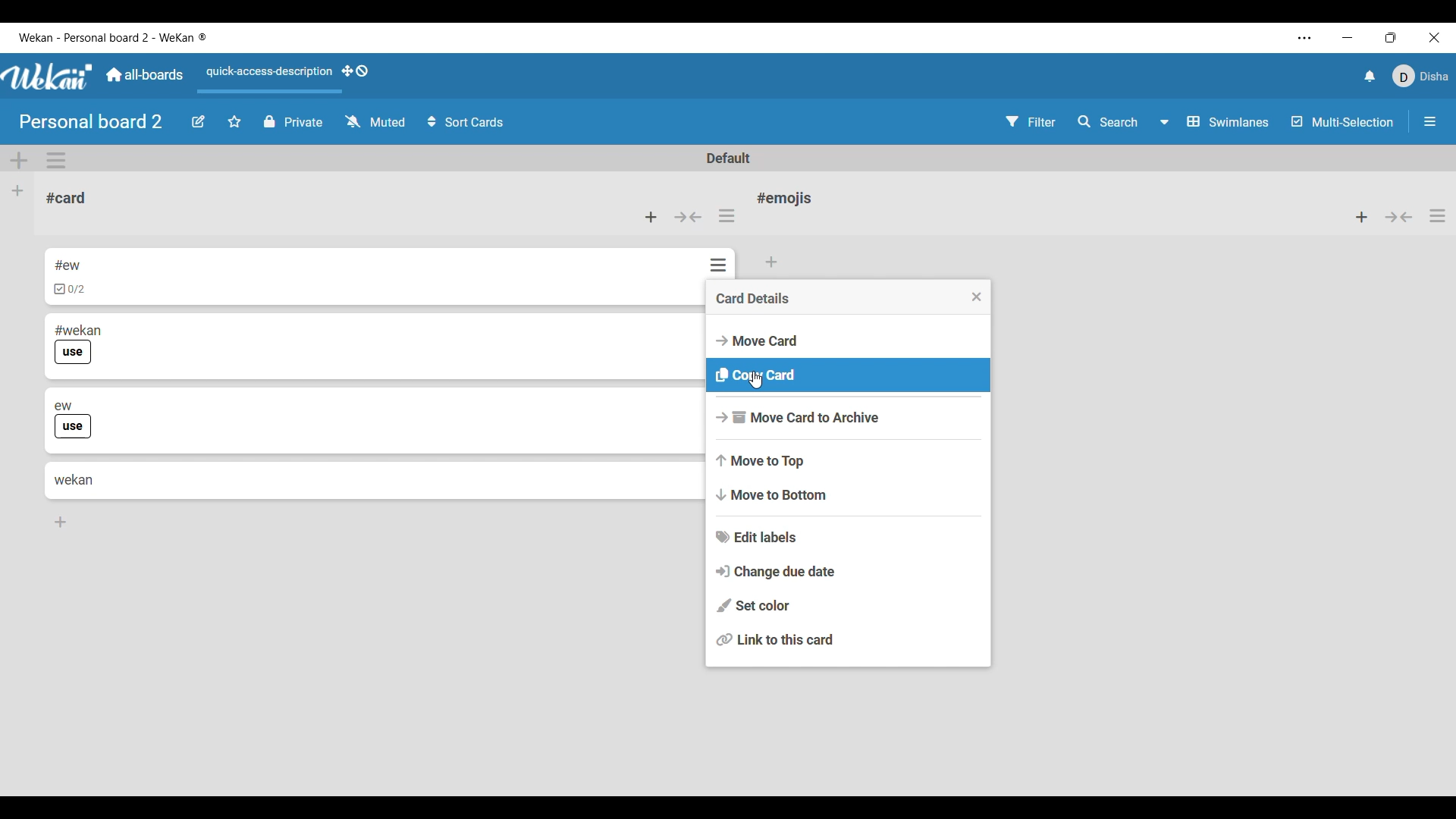  I want to click on Card 1, so click(118, 263).